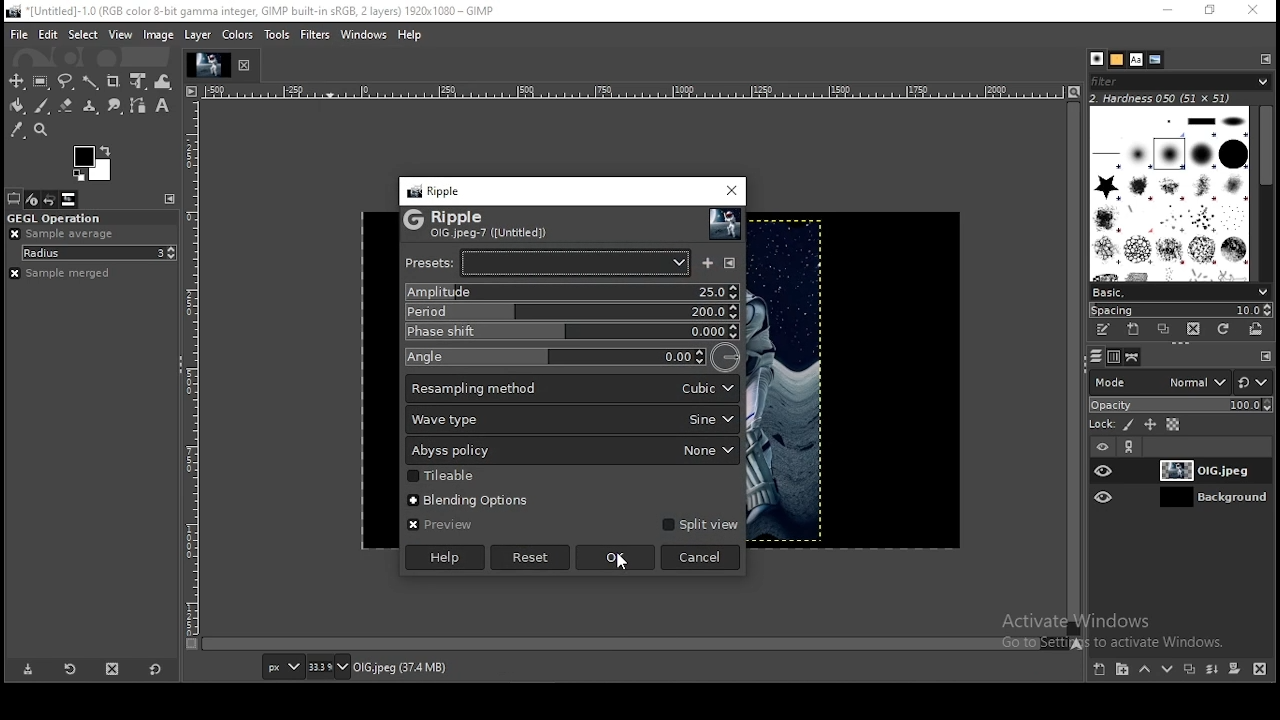 The image size is (1280, 720). What do you see at coordinates (573, 419) in the screenshot?
I see `wave type` at bounding box center [573, 419].